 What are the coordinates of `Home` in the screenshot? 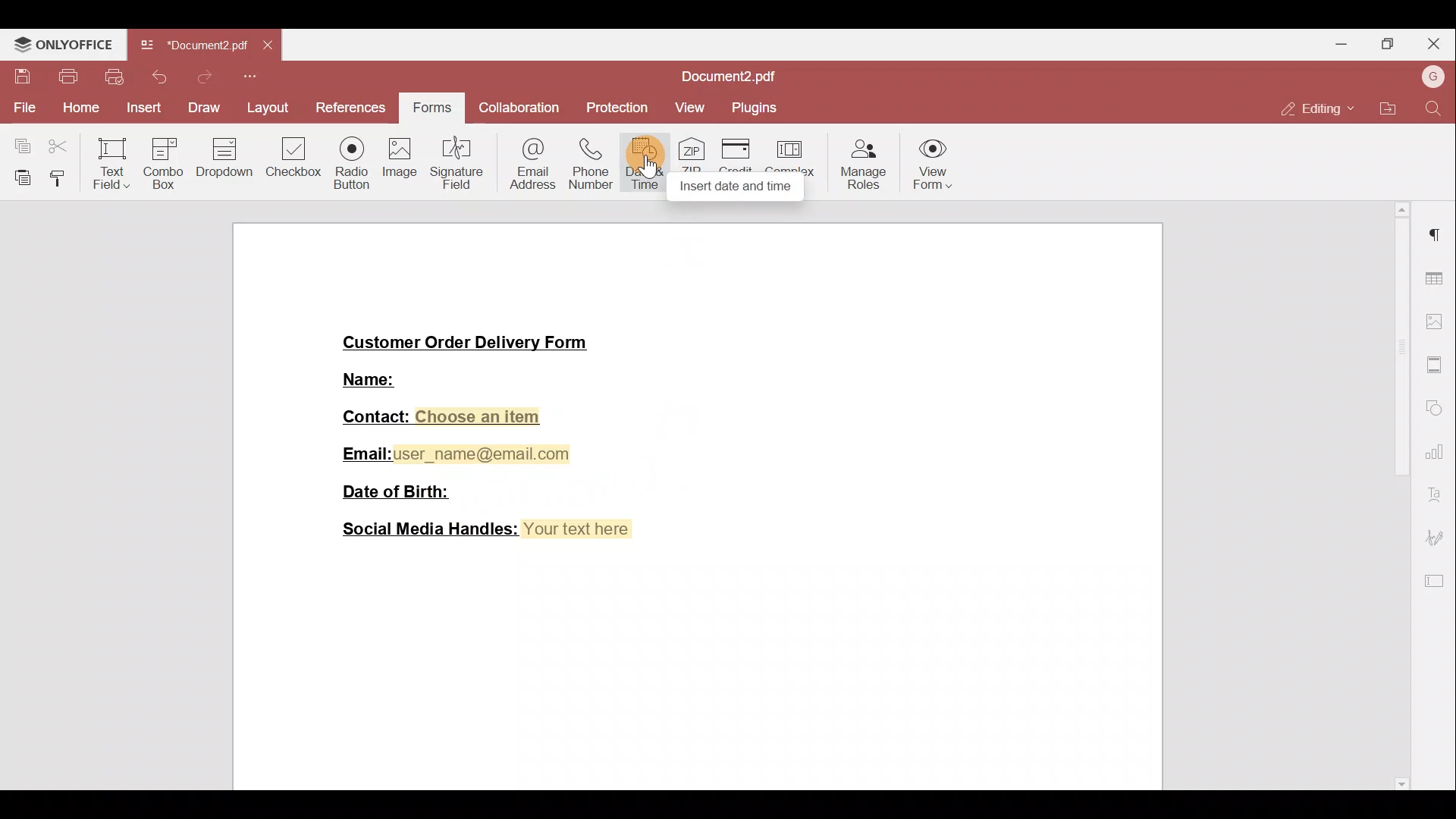 It's located at (77, 109).